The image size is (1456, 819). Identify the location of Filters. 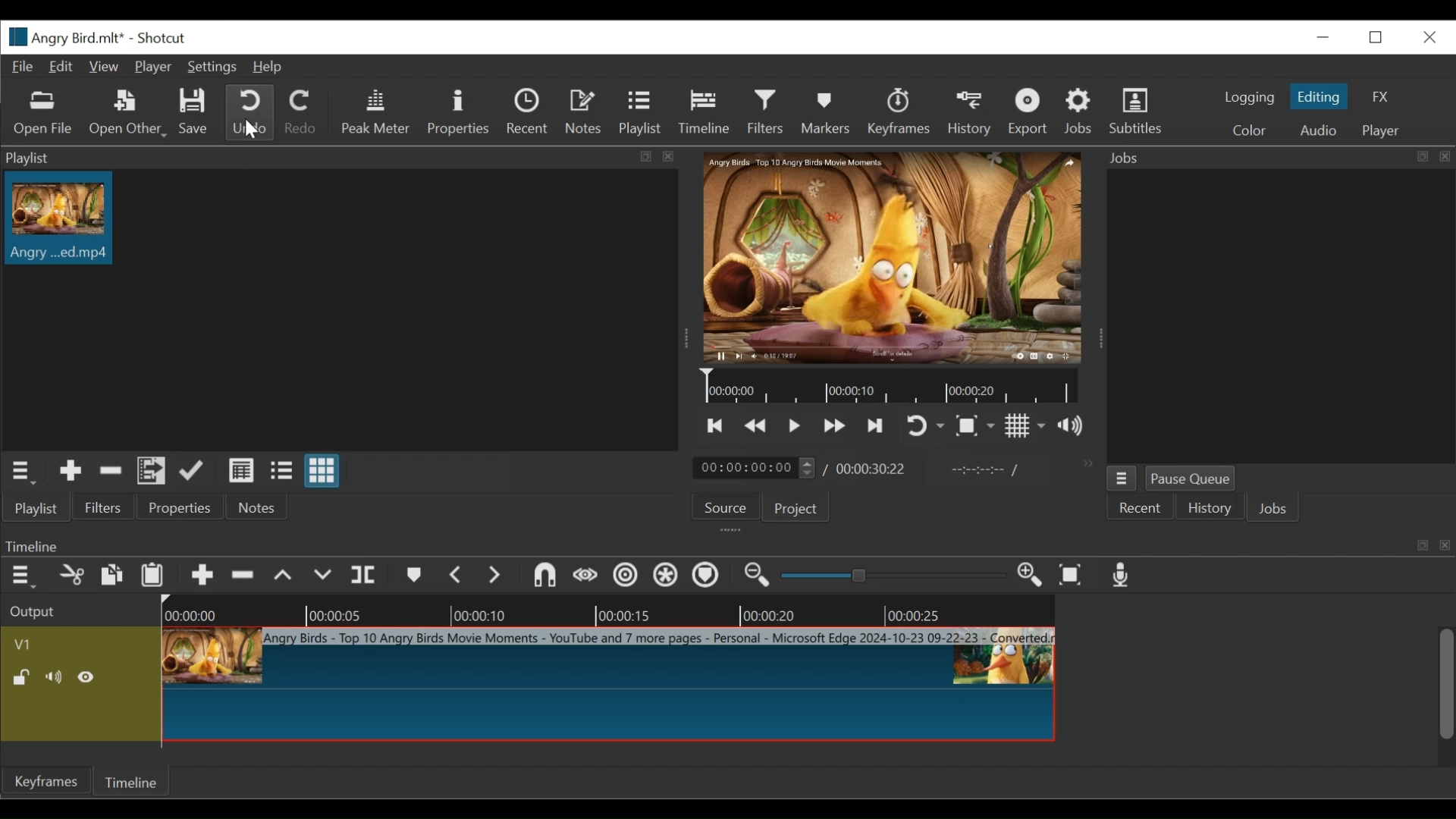
(766, 111).